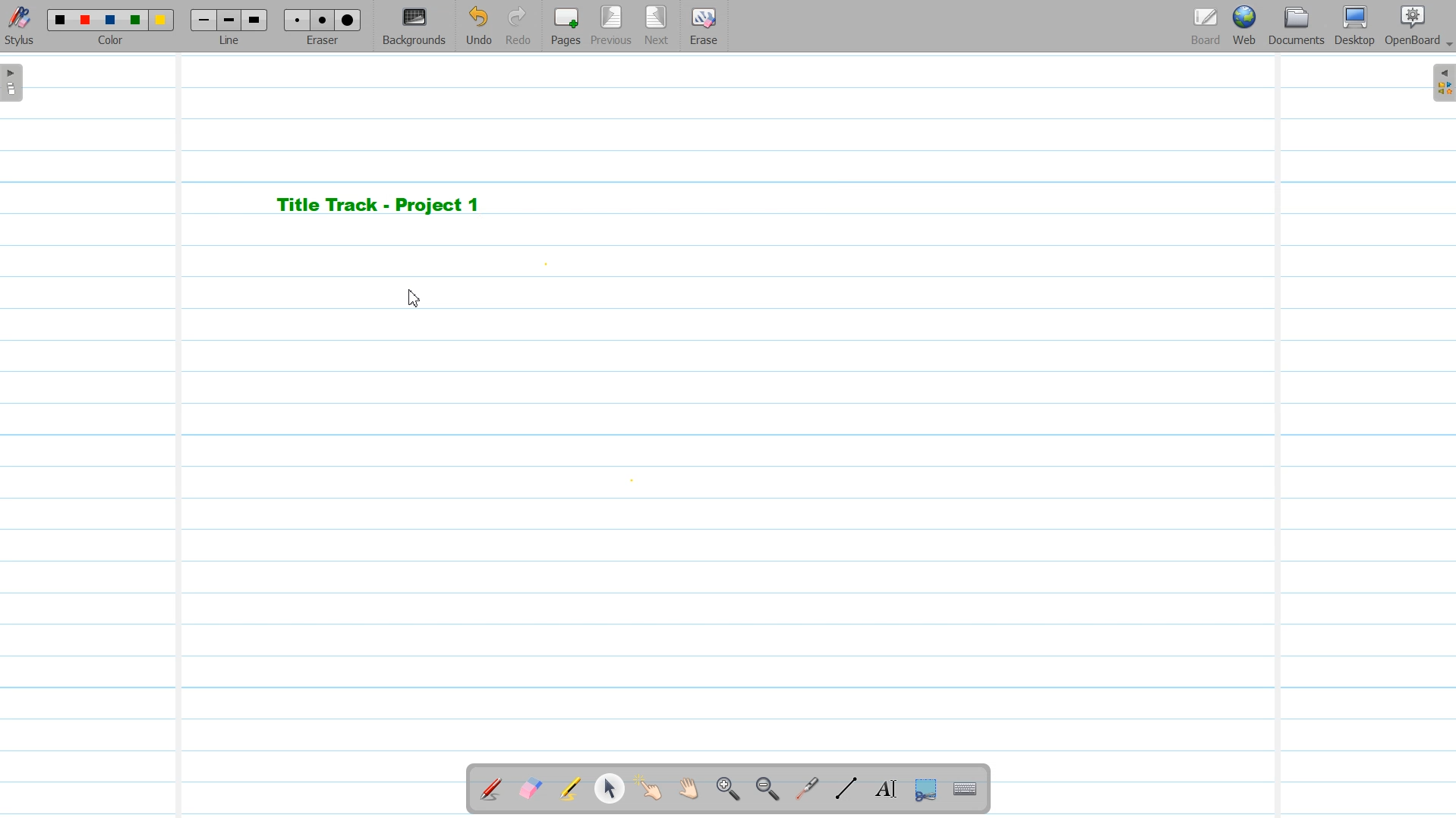 Image resolution: width=1456 pixels, height=818 pixels. What do you see at coordinates (727, 790) in the screenshot?
I see `Zoom In` at bounding box center [727, 790].